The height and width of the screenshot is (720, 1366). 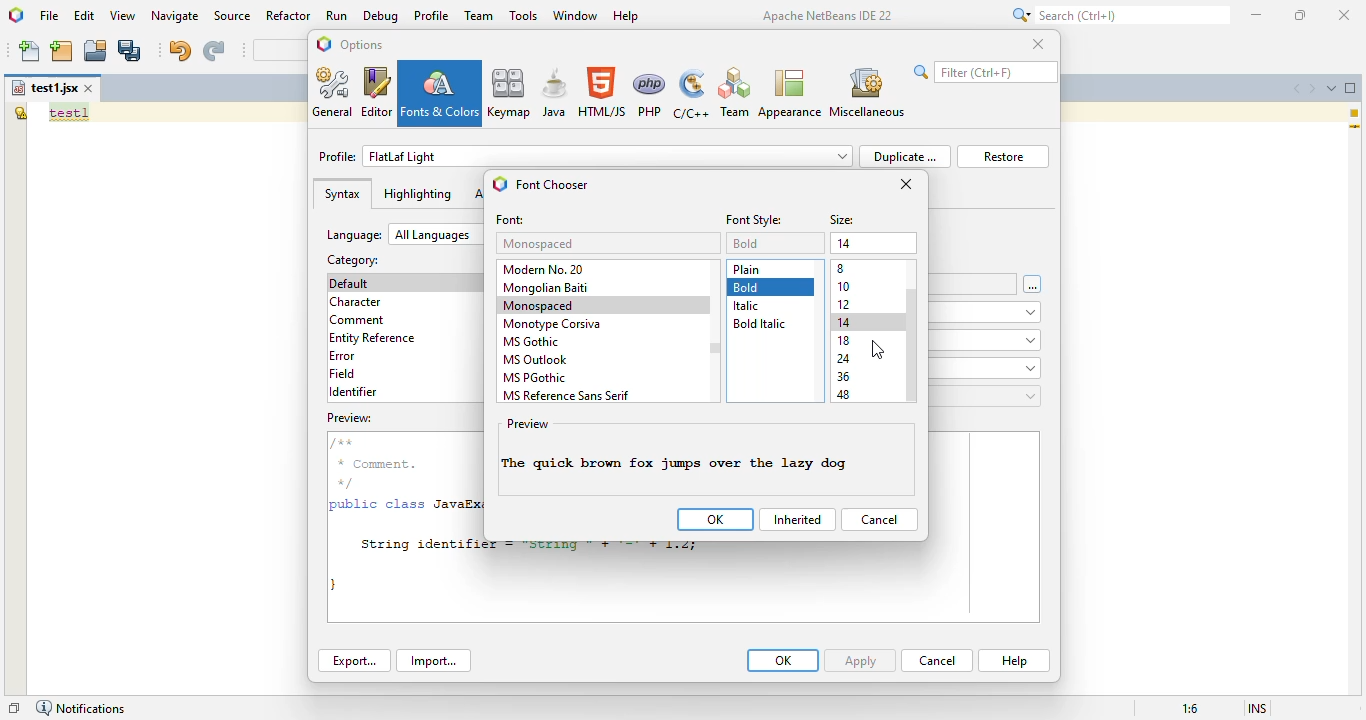 What do you see at coordinates (96, 51) in the screenshot?
I see `open project` at bounding box center [96, 51].